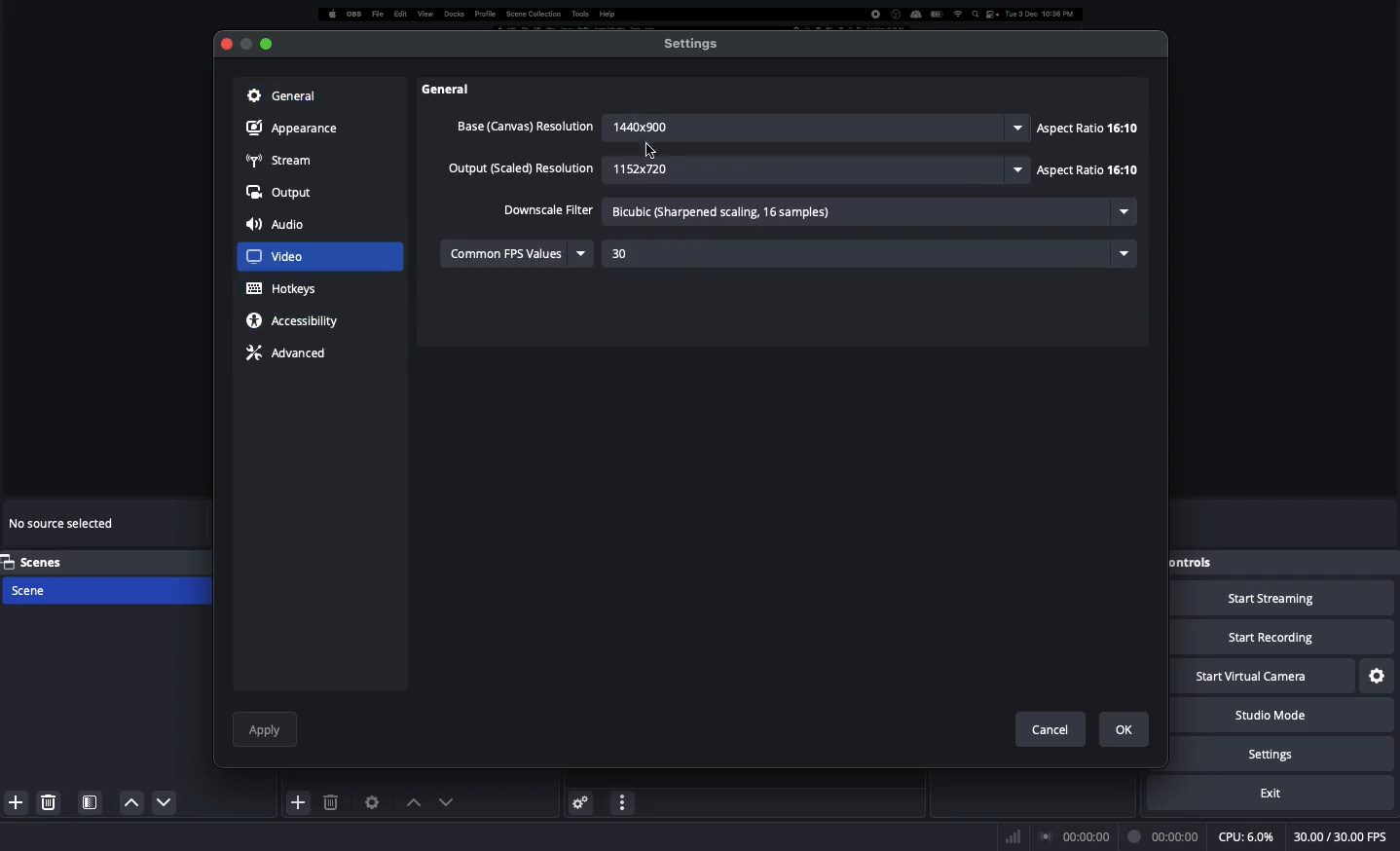 This screenshot has height=851, width=1400. What do you see at coordinates (1264, 678) in the screenshot?
I see `Start virtual camera` at bounding box center [1264, 678].